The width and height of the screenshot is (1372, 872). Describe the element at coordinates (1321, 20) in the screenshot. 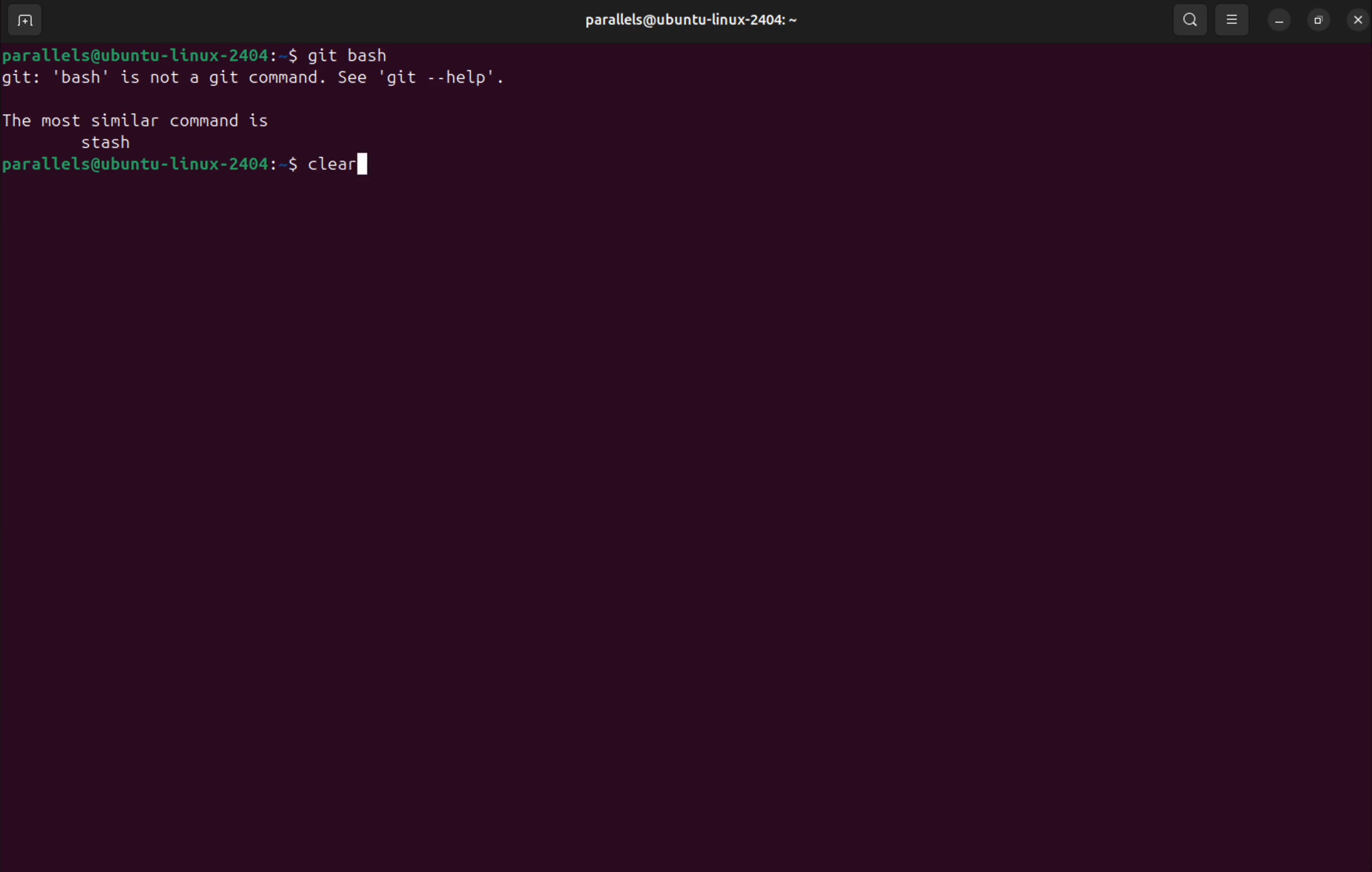

I see `resize` at that location.